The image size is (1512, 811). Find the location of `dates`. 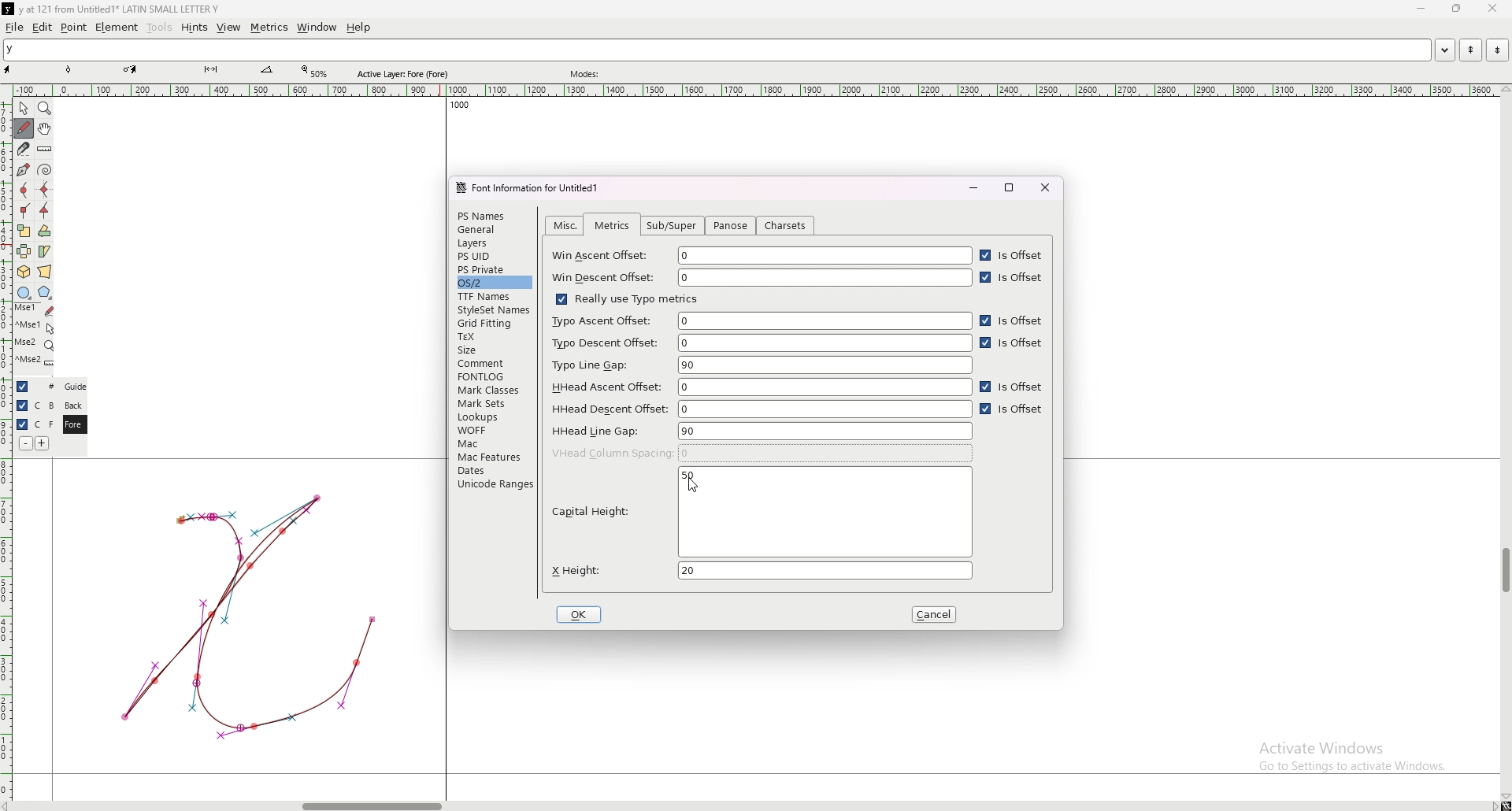

dates is located at coordinates (494, 470).